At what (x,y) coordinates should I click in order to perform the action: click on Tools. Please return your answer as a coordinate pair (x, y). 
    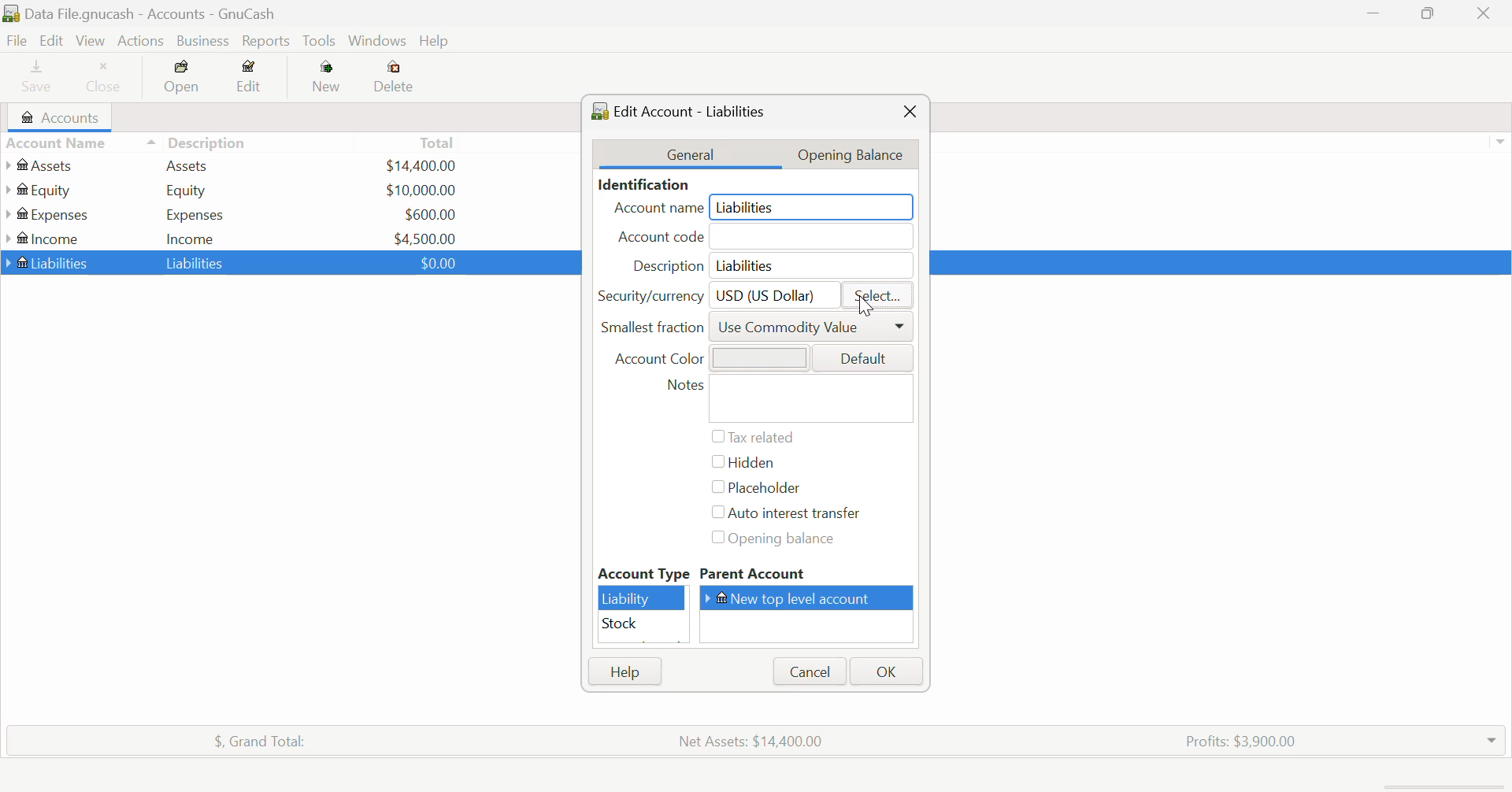
    Looking at the image, I should click on (321, 42).